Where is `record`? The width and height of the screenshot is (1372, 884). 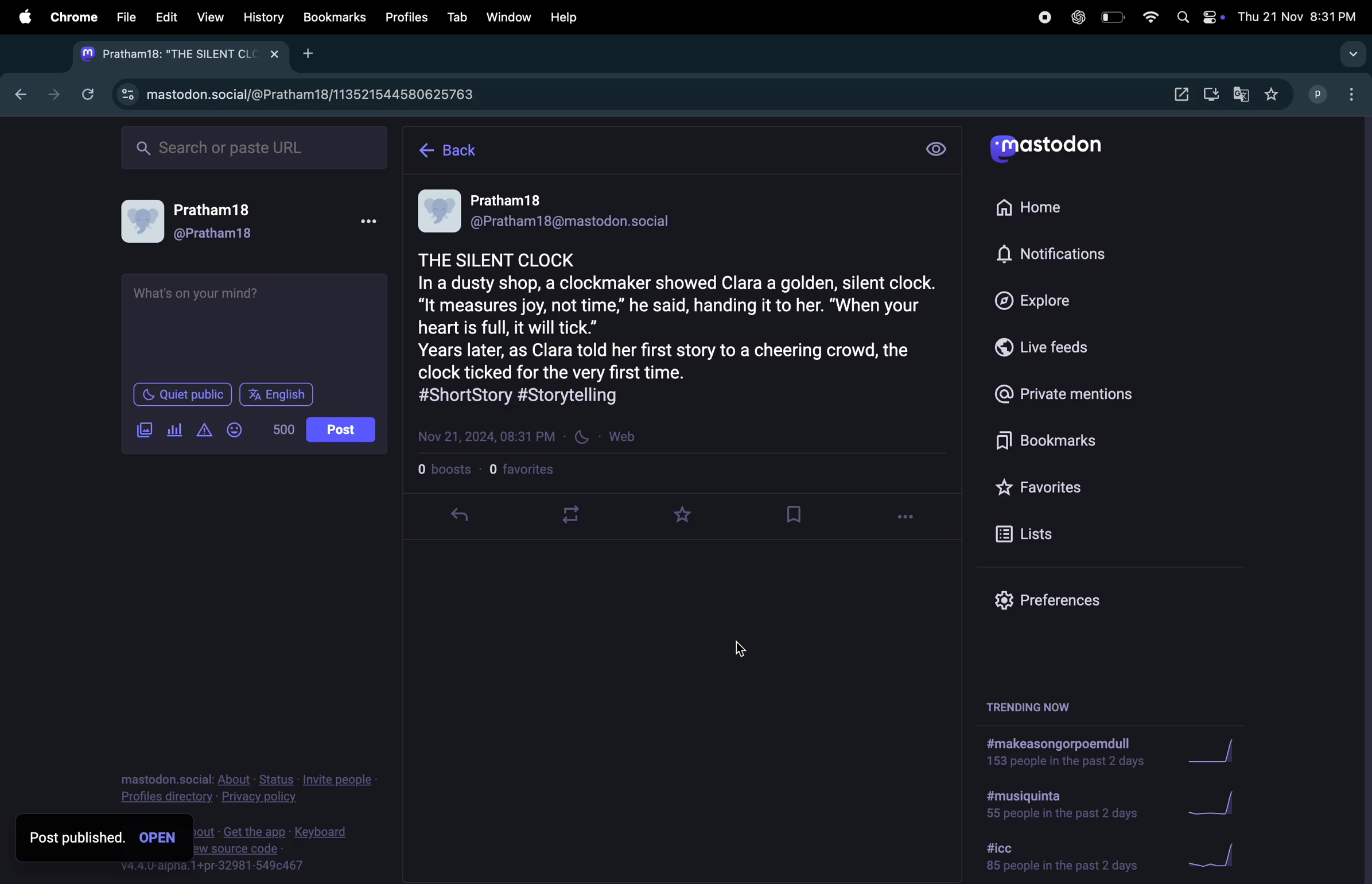
record is located at coordinates (1040, 15).